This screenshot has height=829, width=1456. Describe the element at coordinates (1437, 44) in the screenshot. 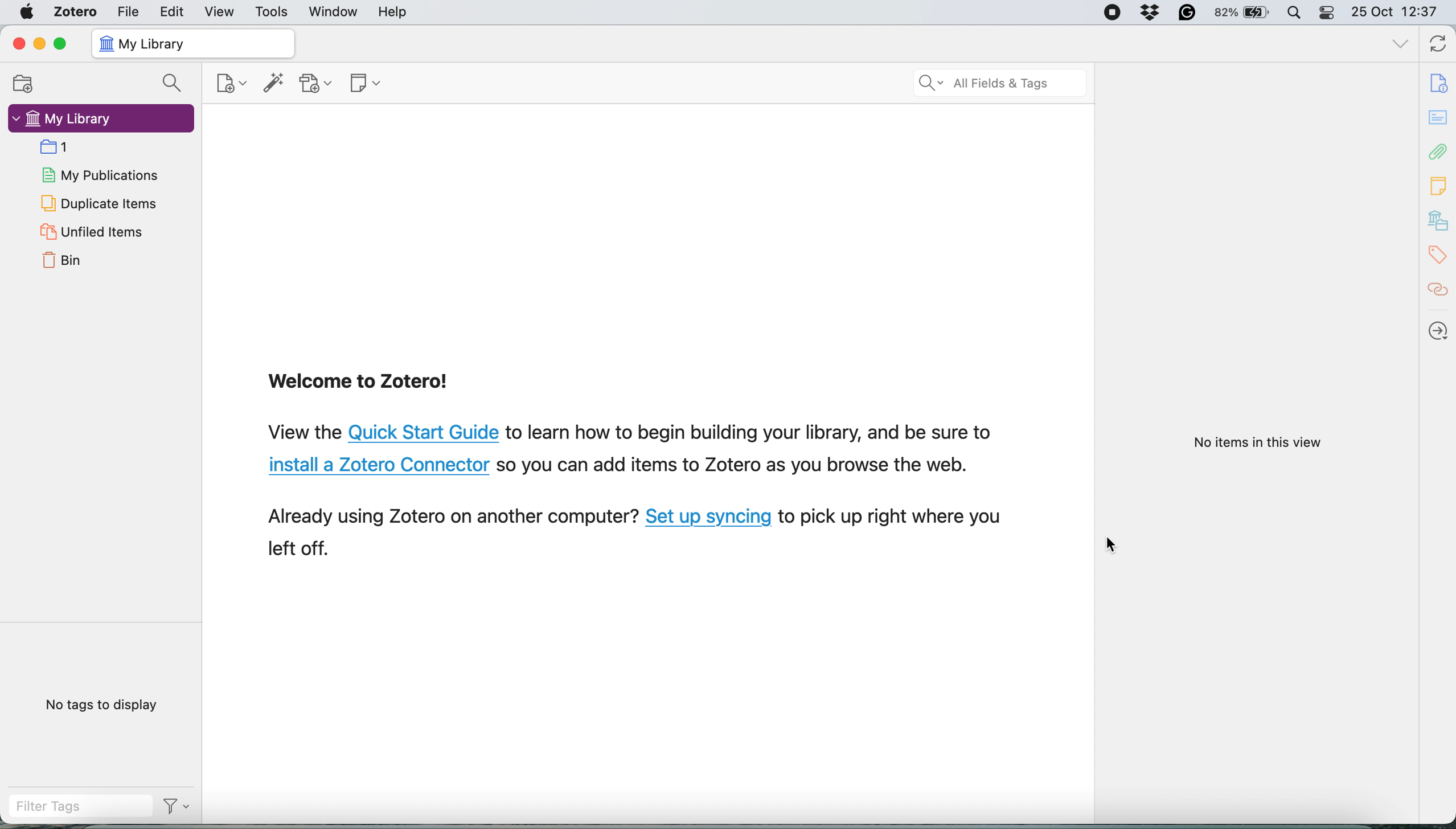

I see `sync with zotero.org` at that location.